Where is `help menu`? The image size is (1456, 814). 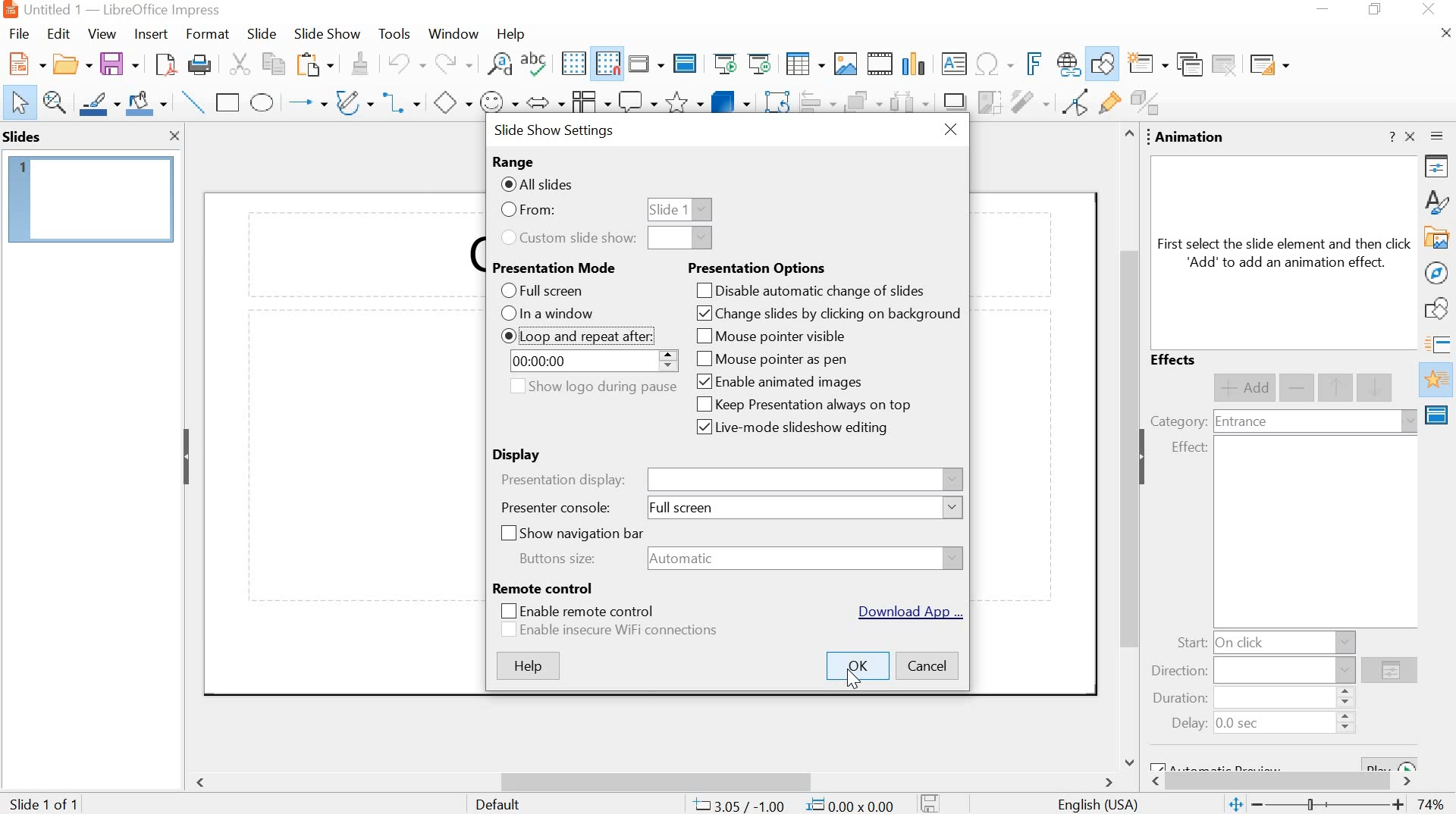 help menu is located at coordinates (510, 34).